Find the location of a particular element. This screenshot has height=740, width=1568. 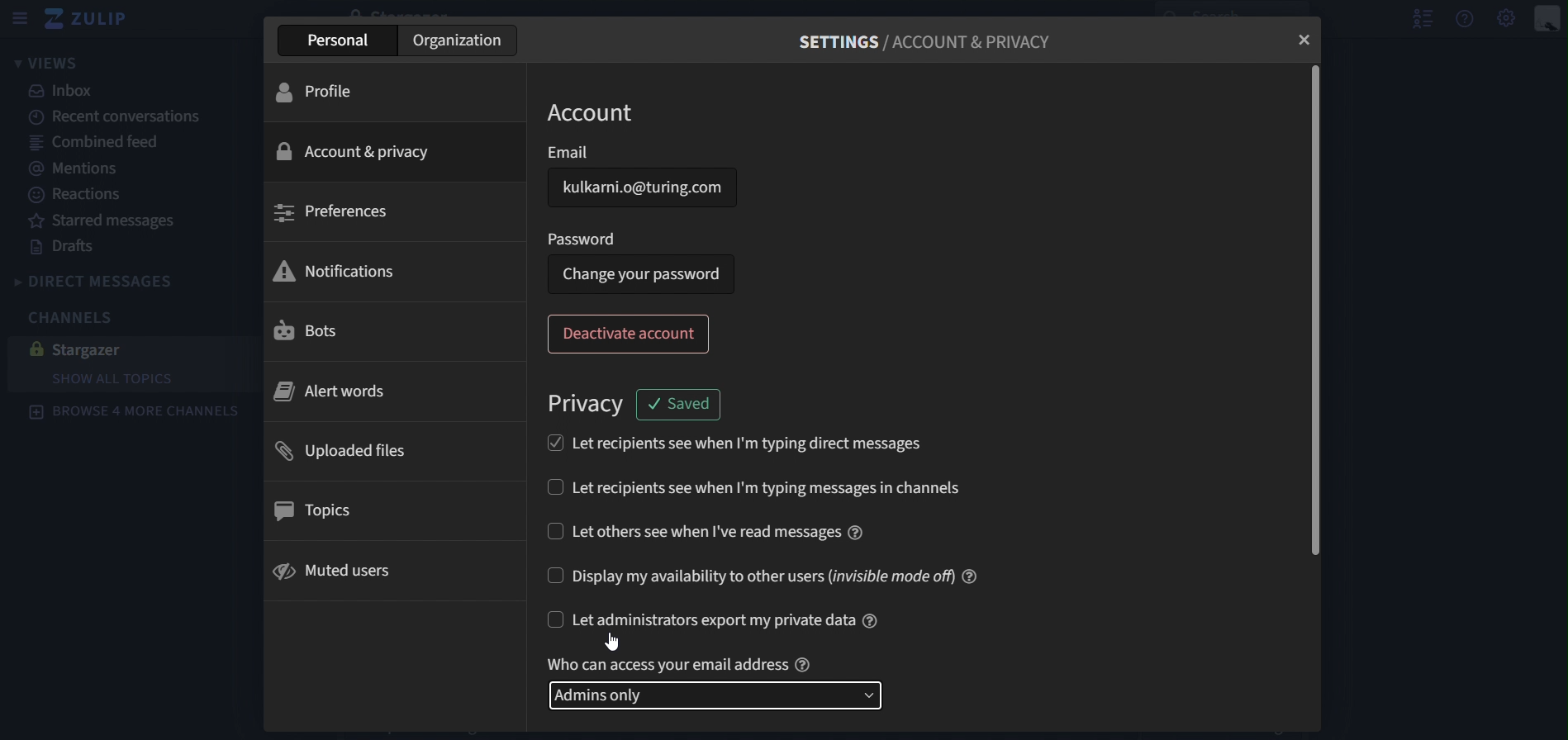

notifications is located at coordinates (337, 273).